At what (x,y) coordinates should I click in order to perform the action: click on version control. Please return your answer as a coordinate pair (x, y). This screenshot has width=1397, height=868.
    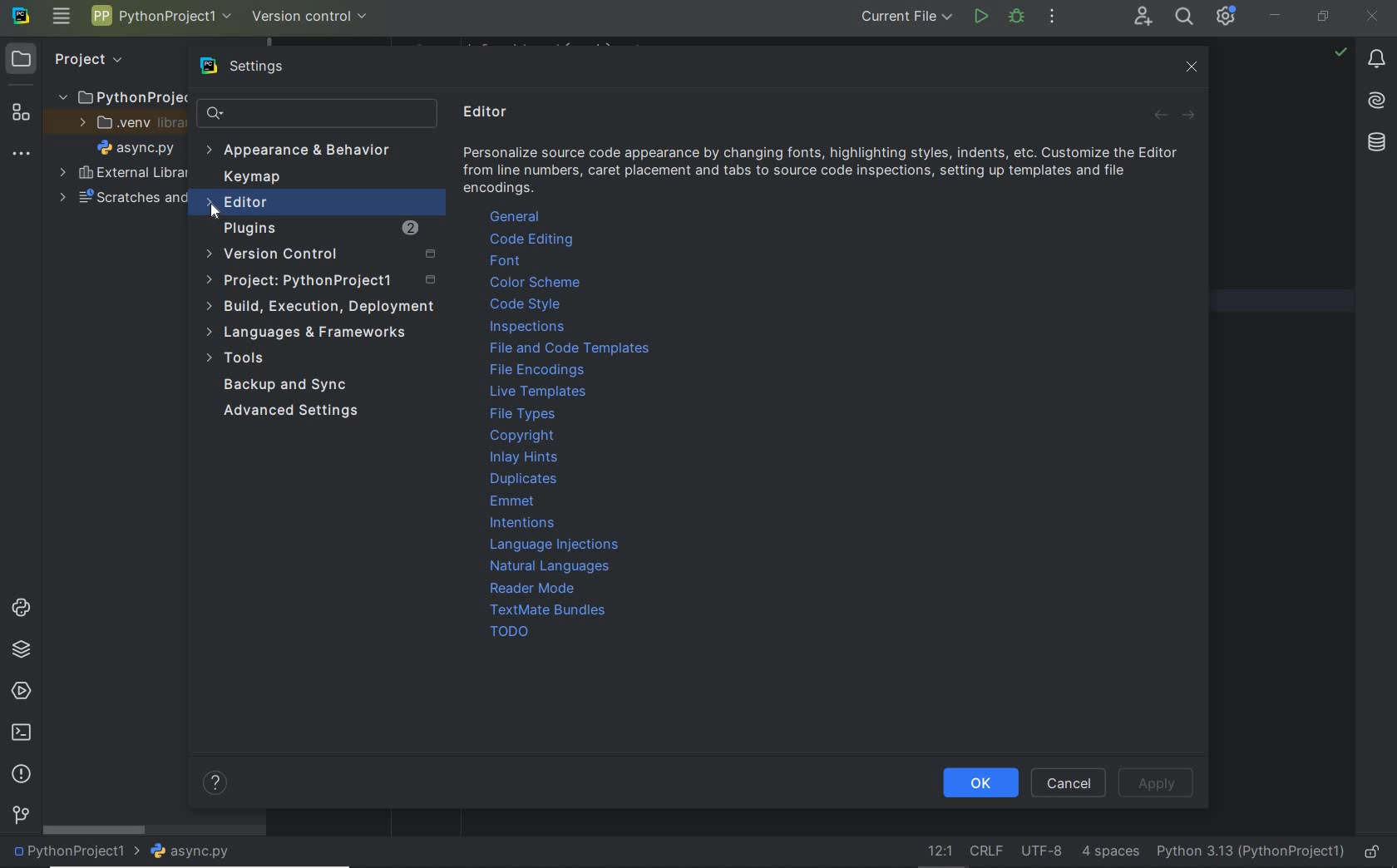
    Looking at the image, I should click on (323, 254).